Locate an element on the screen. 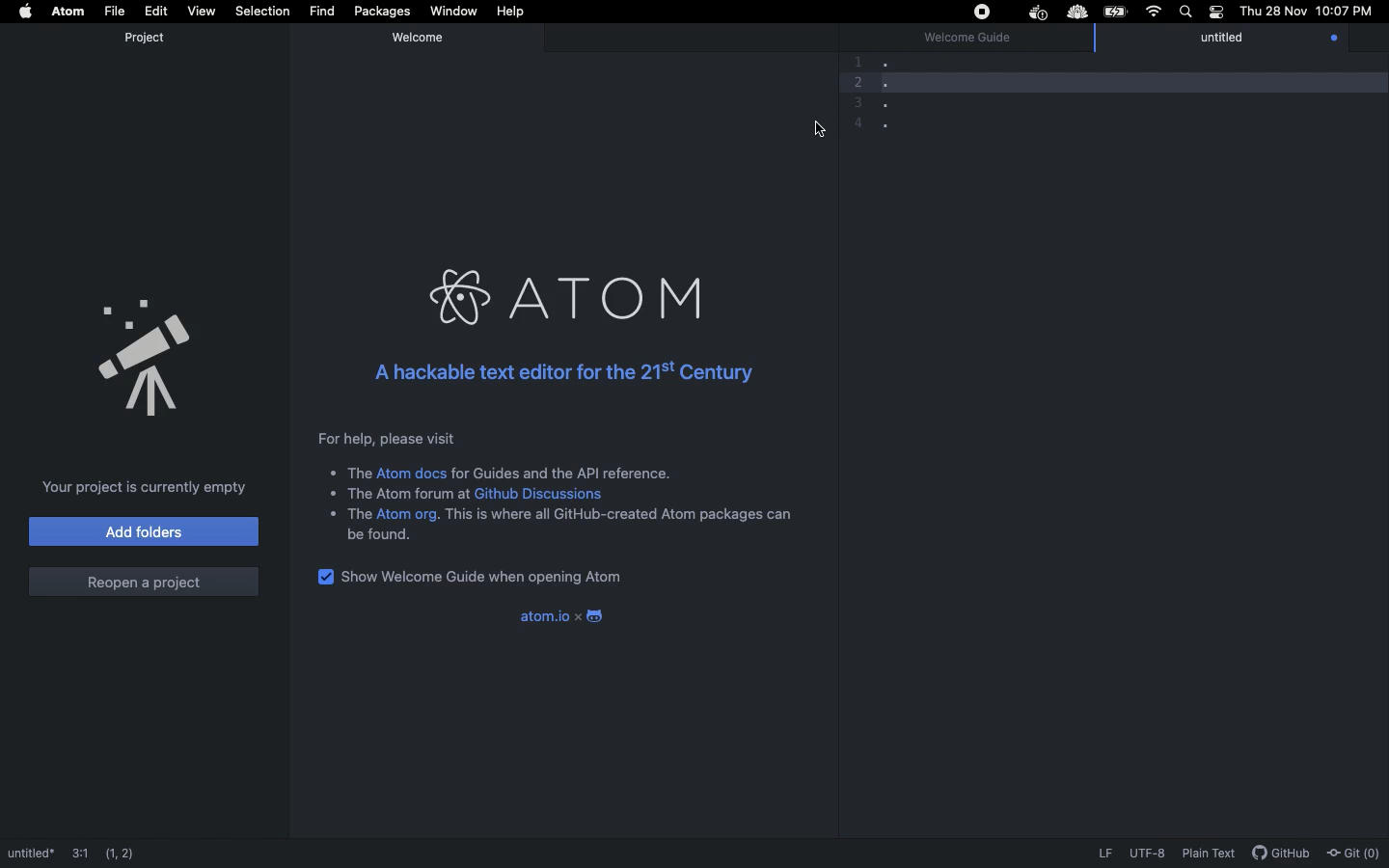 This screenshot has height=868, width=1389. Selection is located at coordinates (260, 12).